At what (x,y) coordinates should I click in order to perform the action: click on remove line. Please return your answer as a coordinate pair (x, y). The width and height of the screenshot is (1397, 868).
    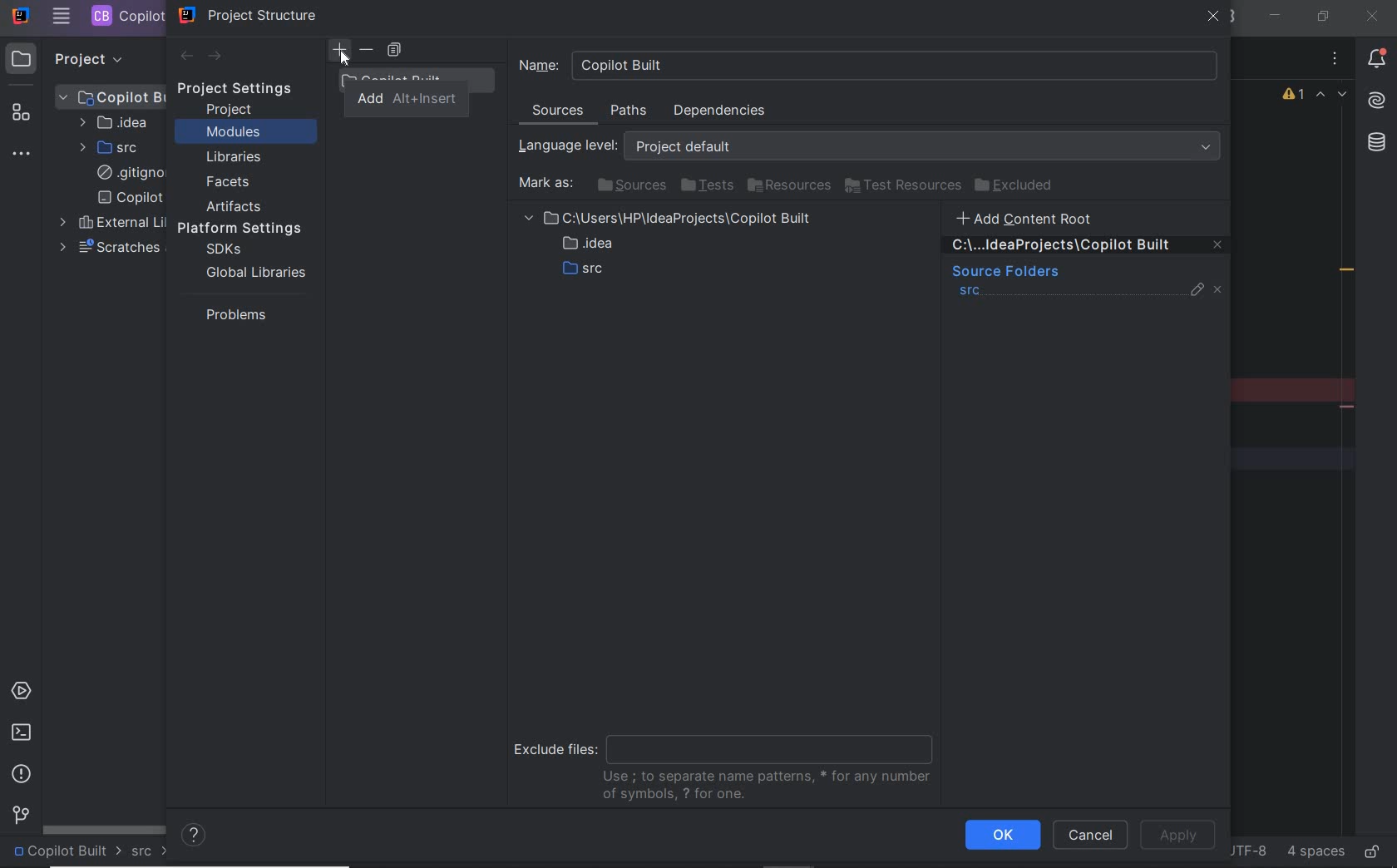
    Looking at the image, I should click on (1349, 407).